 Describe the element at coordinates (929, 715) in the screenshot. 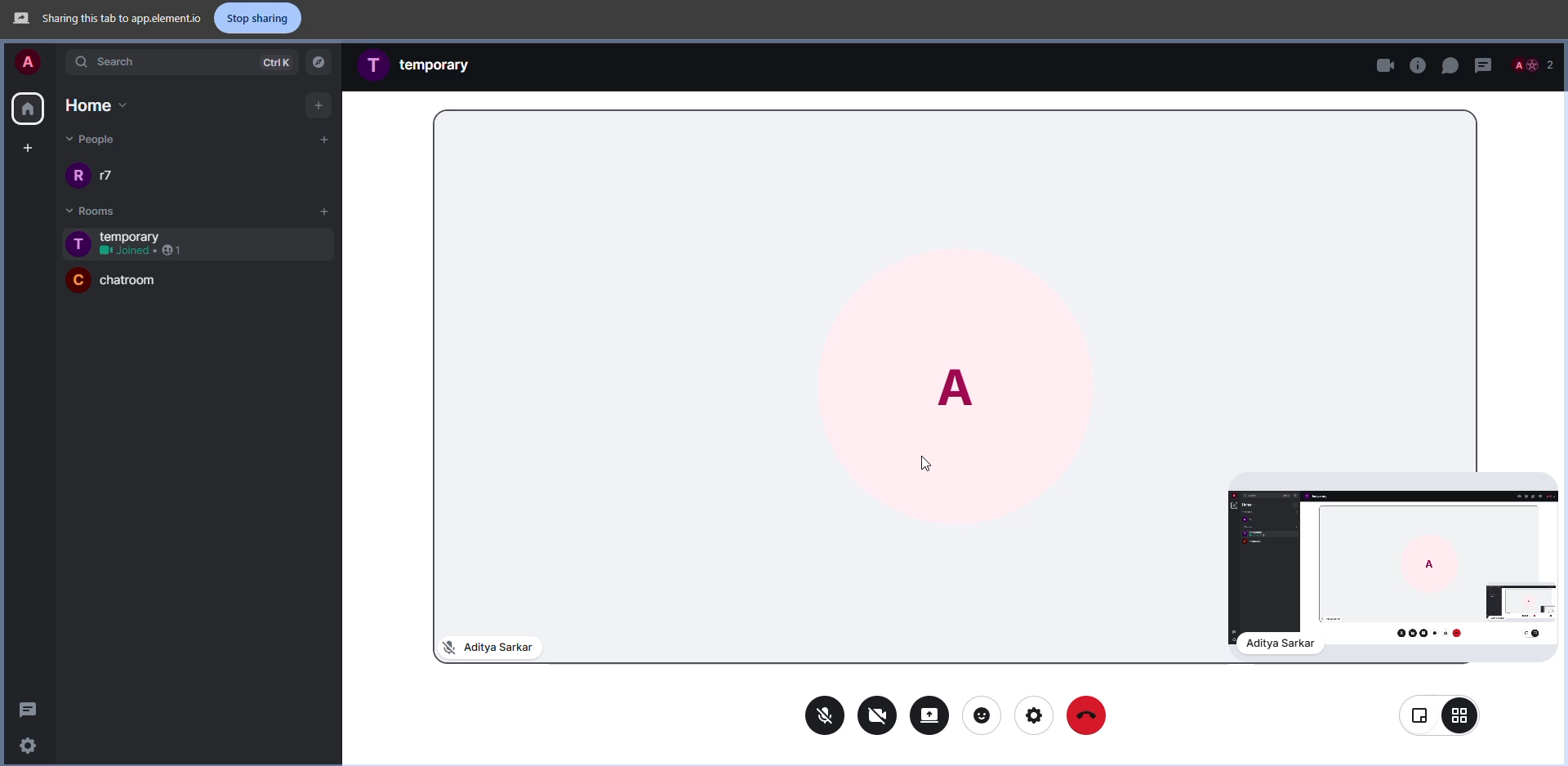

I see `stop sharing` at that location.